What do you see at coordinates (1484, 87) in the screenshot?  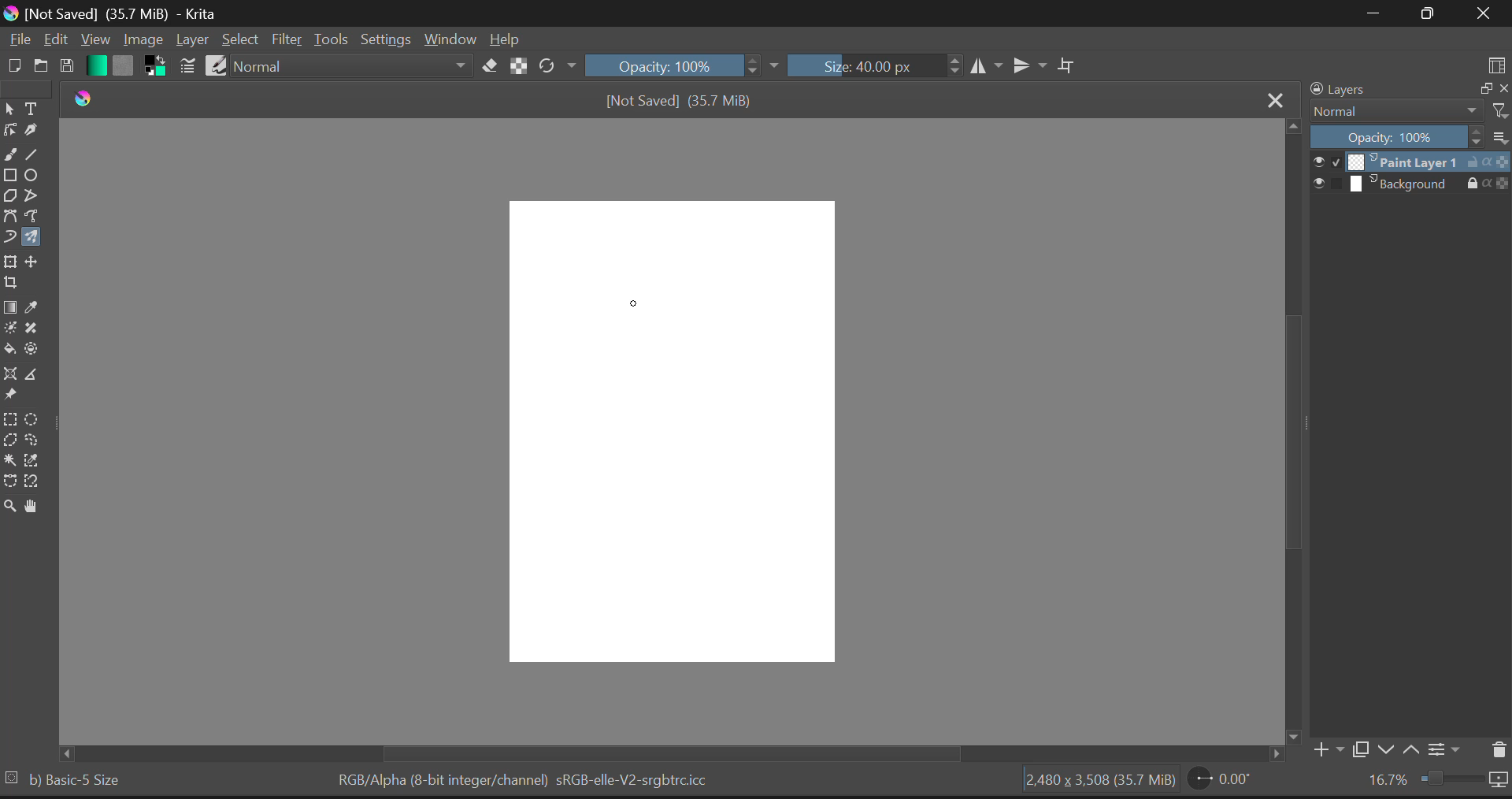 I see `minimize` at bounding box center [1484, 87].